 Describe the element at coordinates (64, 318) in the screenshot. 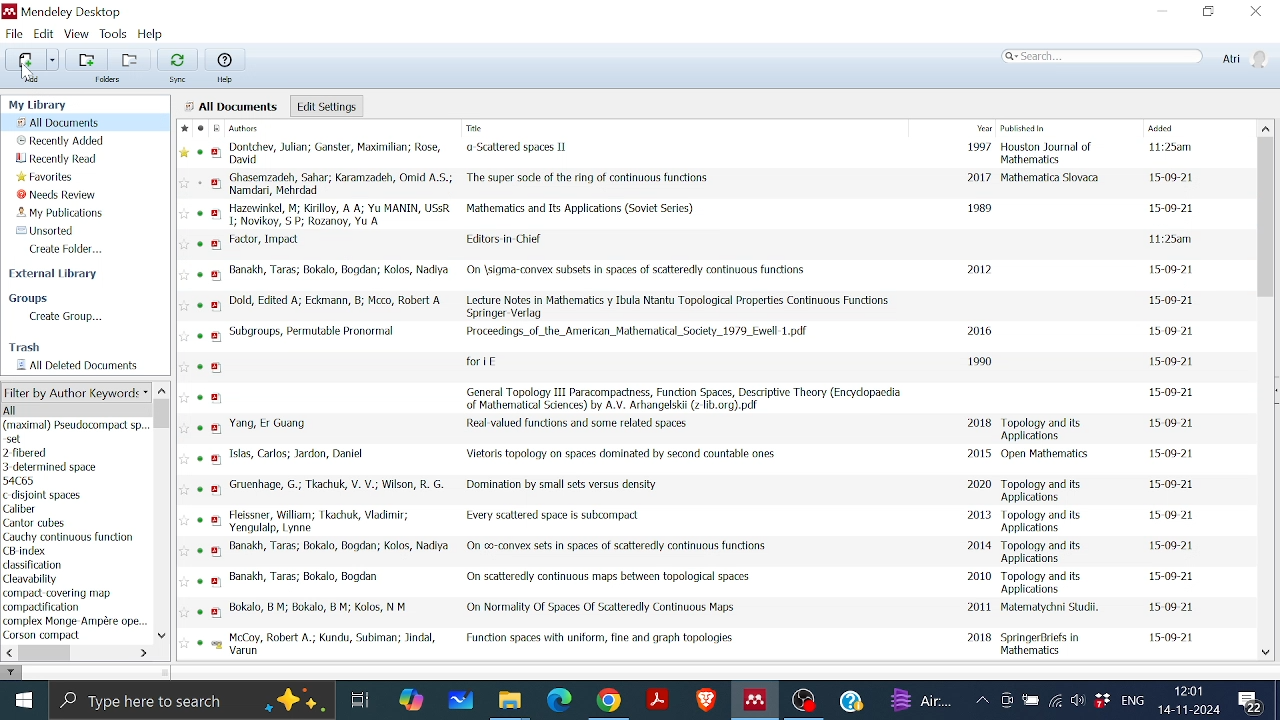

I see `Create group` at that location.